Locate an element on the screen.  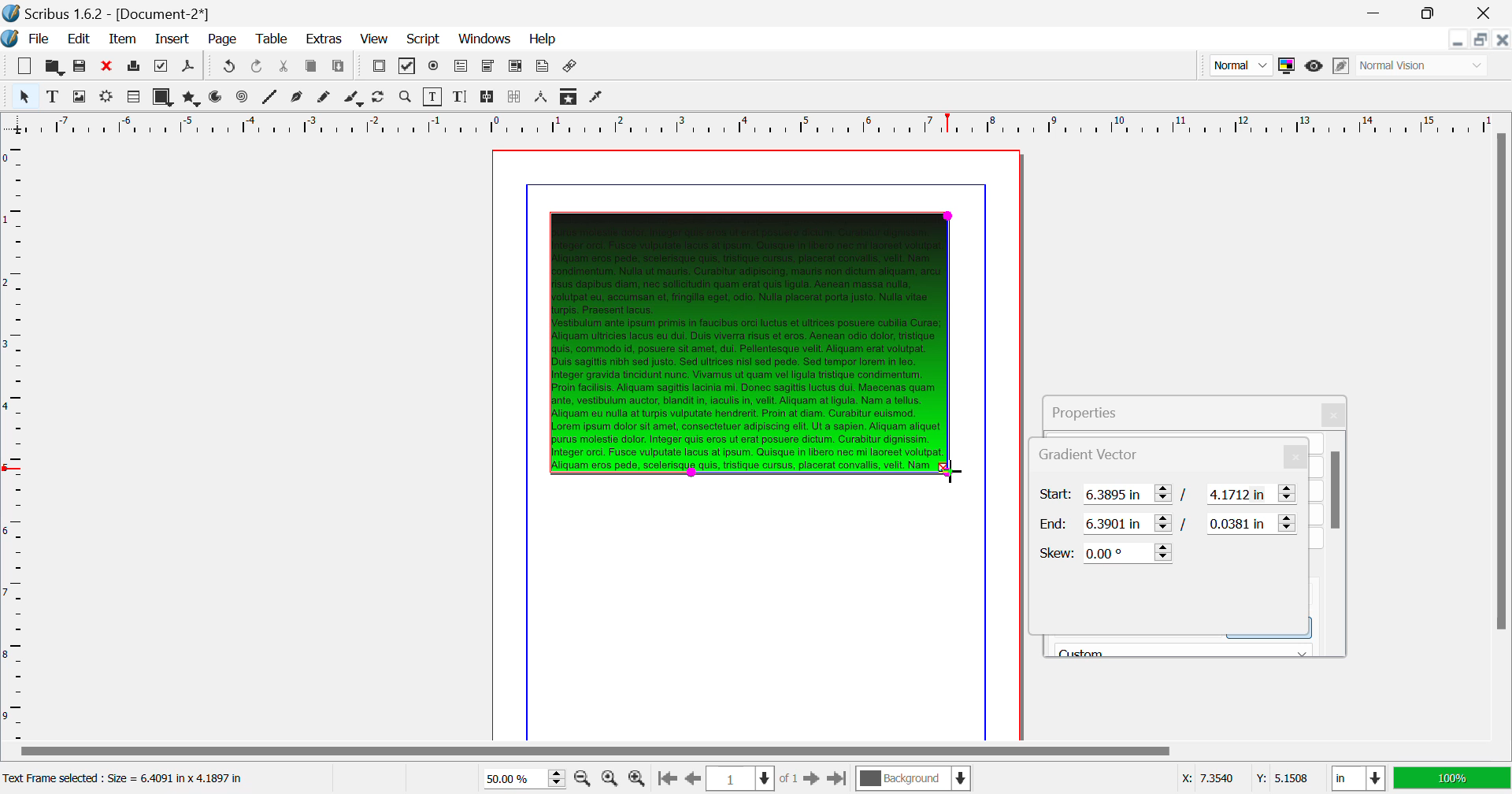
Gradient Vector Start is located at coordinates (1169, 495).